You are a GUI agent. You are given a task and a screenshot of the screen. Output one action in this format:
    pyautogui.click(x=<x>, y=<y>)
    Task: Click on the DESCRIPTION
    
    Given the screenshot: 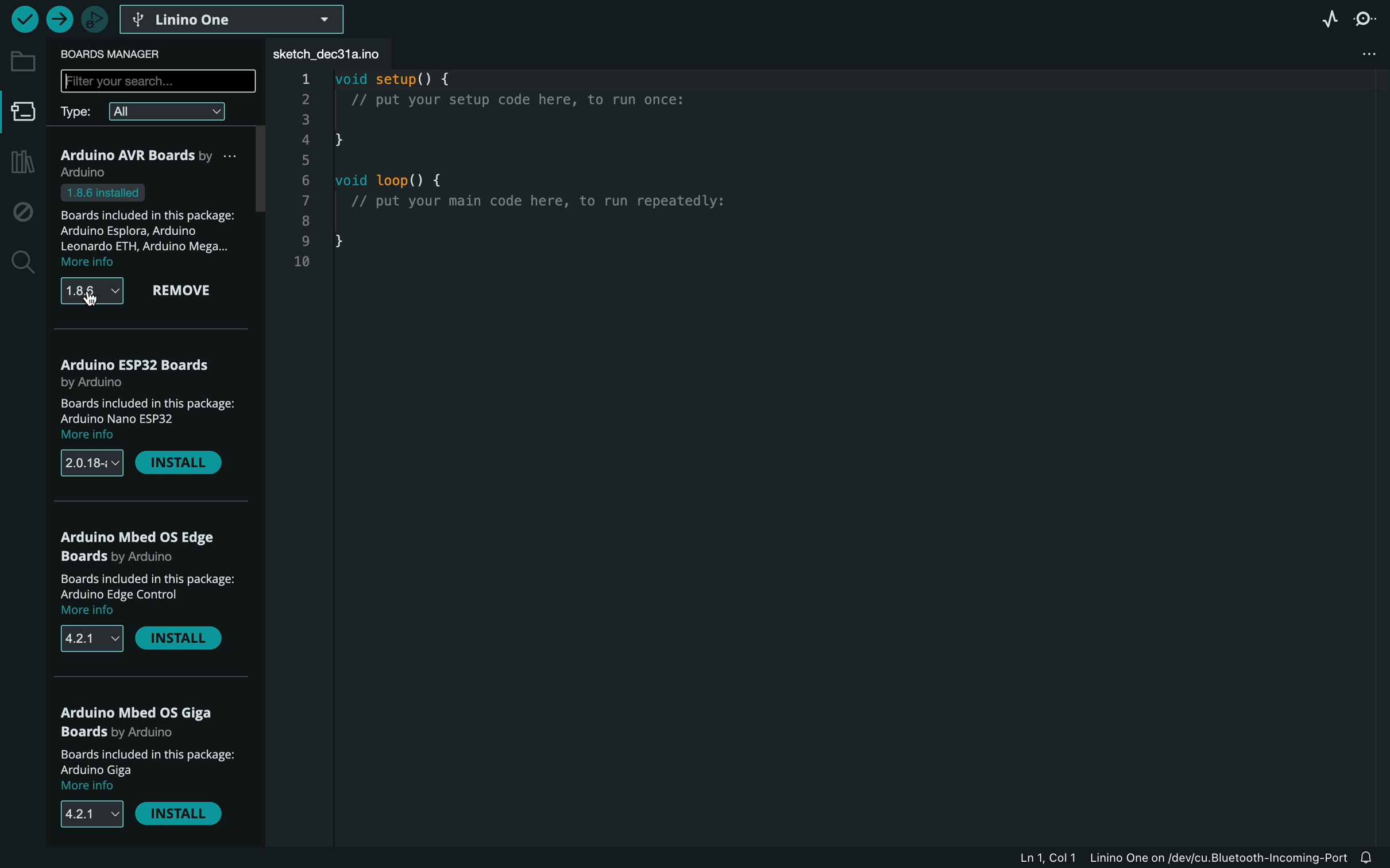 What is the action you would take?
    pyautogui.click(x=146, y=770)
    